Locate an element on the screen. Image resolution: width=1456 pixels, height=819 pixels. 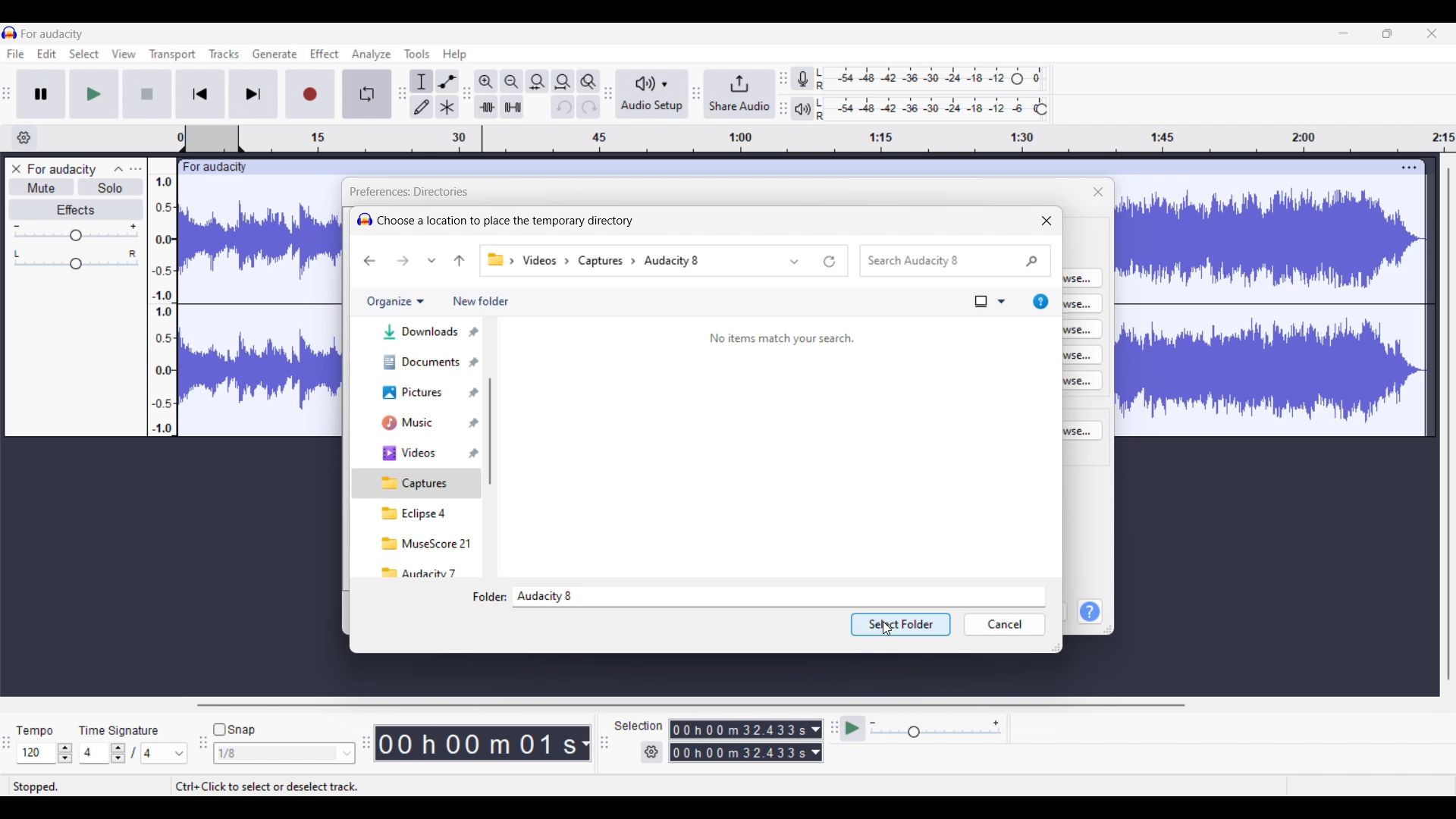
Title of window and current setting is located at coordinates (407, 192).